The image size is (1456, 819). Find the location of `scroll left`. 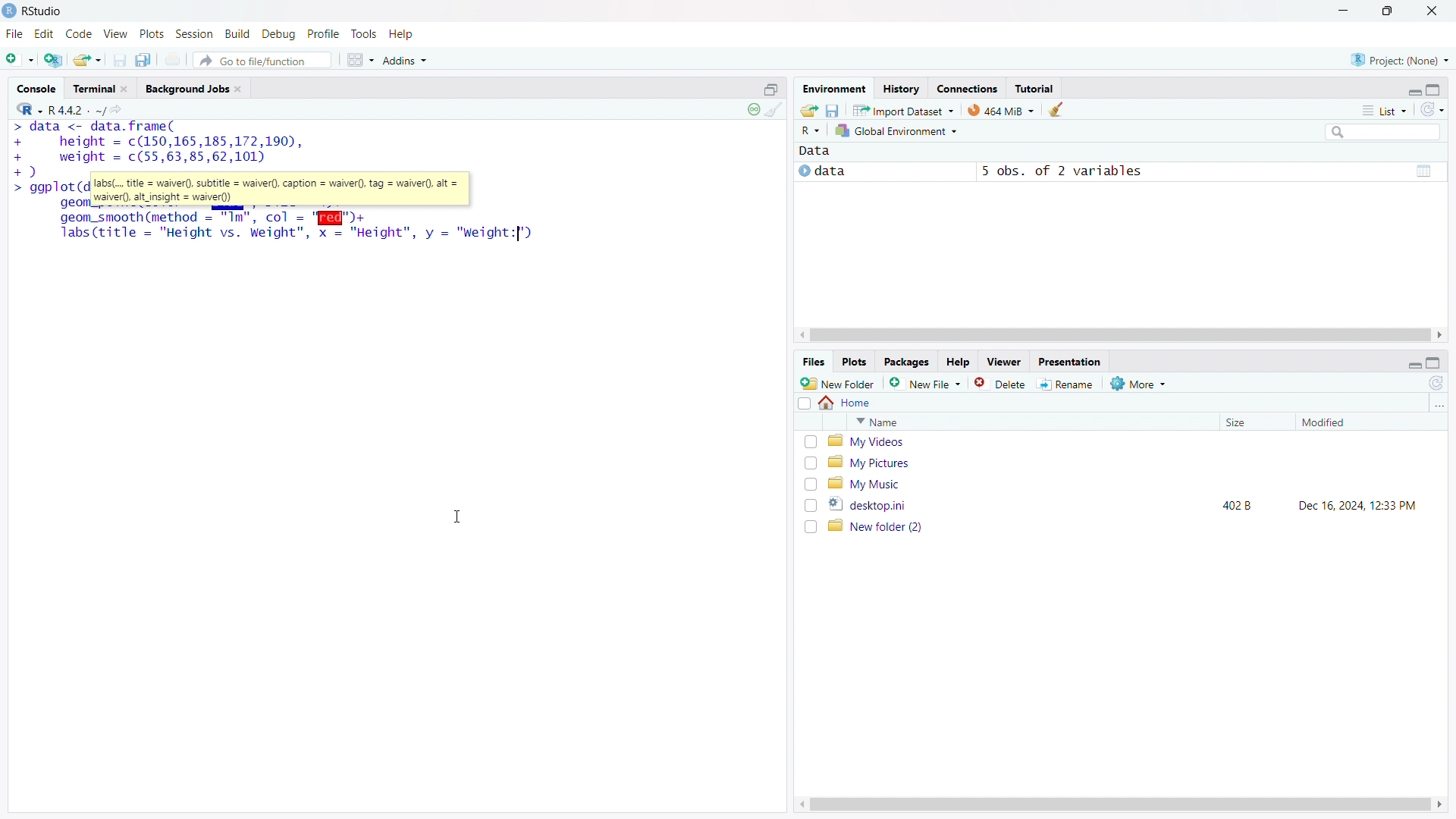

scroll left is located at coordinates (802, 335).